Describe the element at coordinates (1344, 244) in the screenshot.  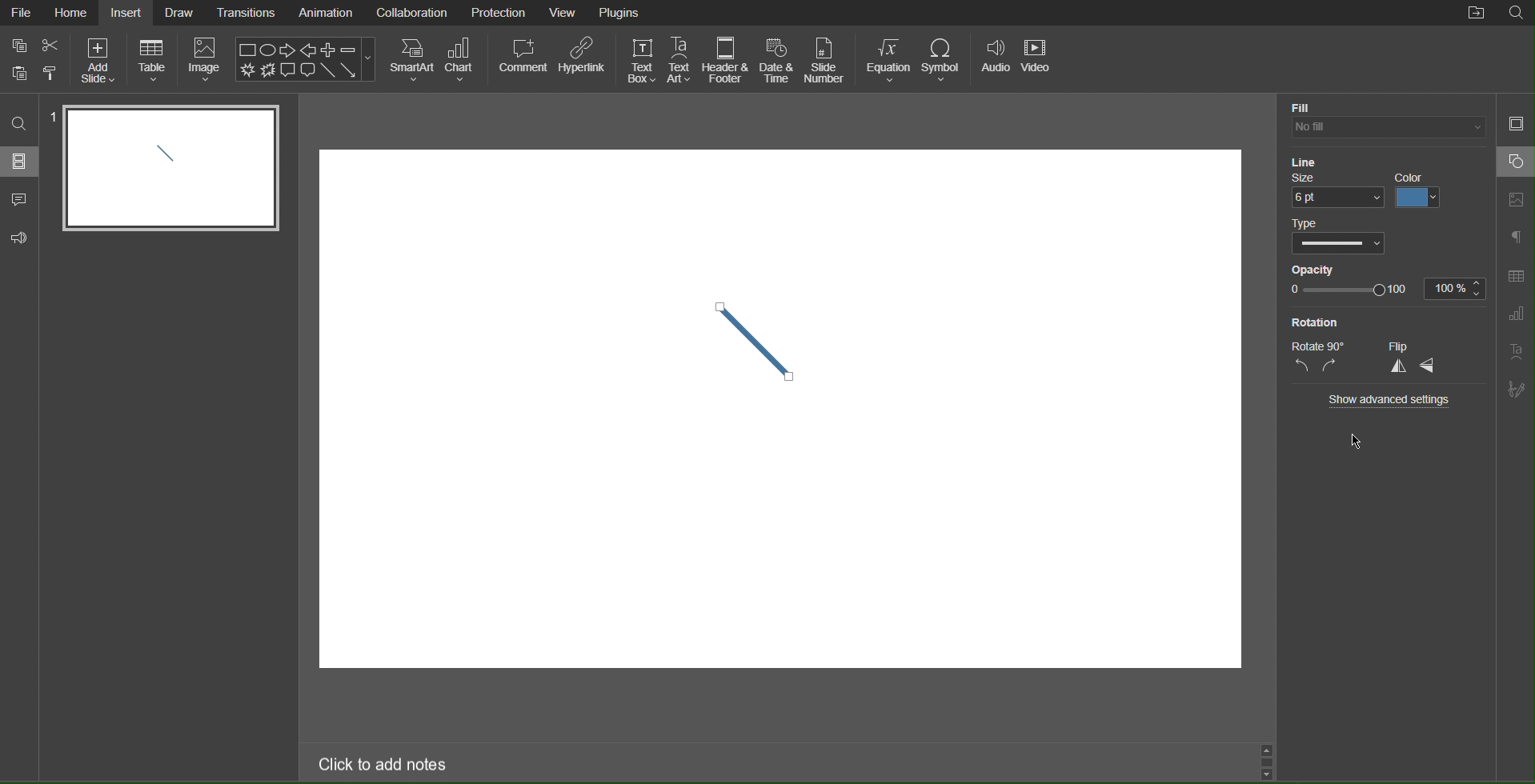
I see `Type line` at that location.